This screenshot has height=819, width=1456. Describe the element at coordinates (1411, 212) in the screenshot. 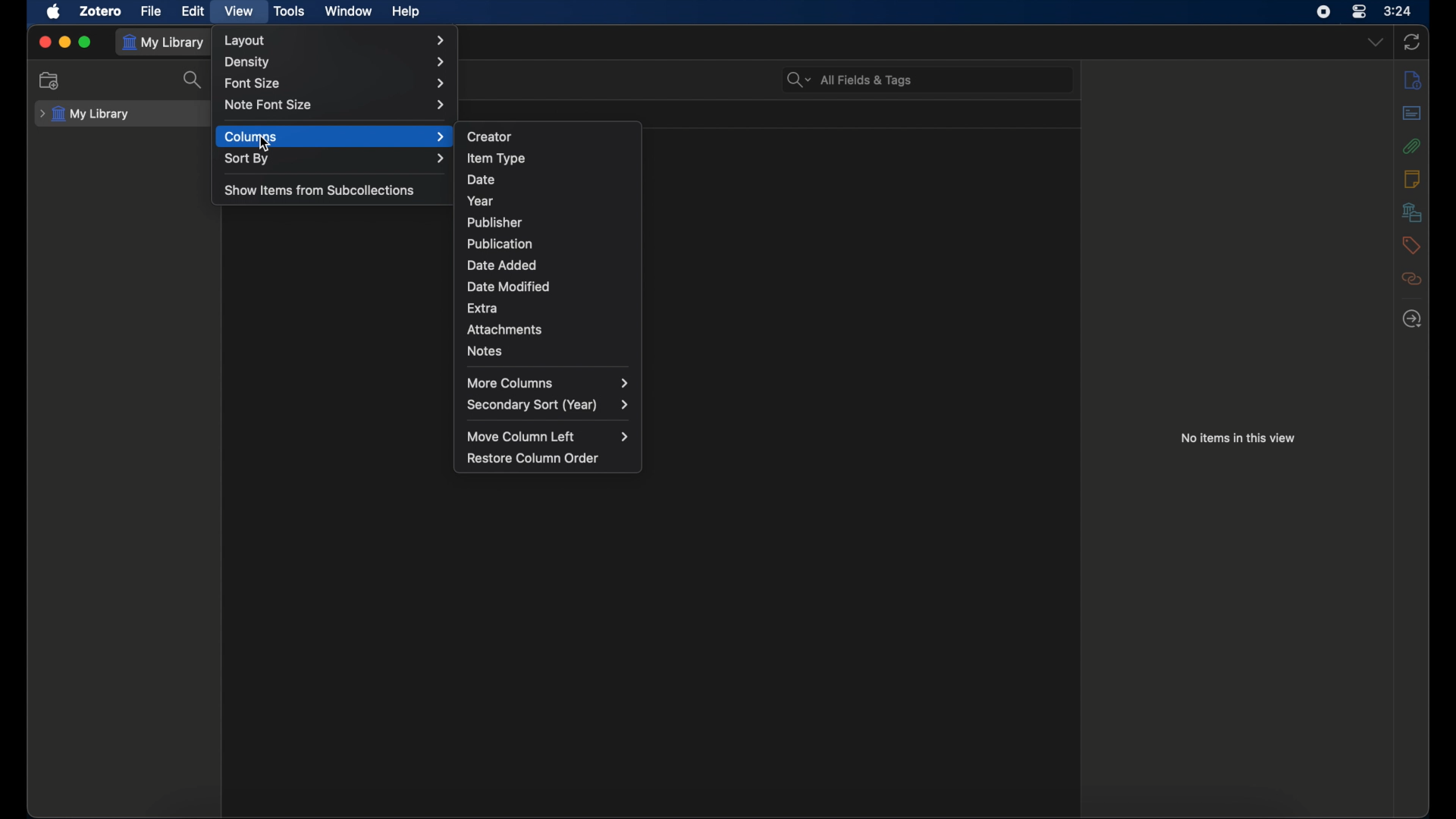

I see `libraries` at that location.